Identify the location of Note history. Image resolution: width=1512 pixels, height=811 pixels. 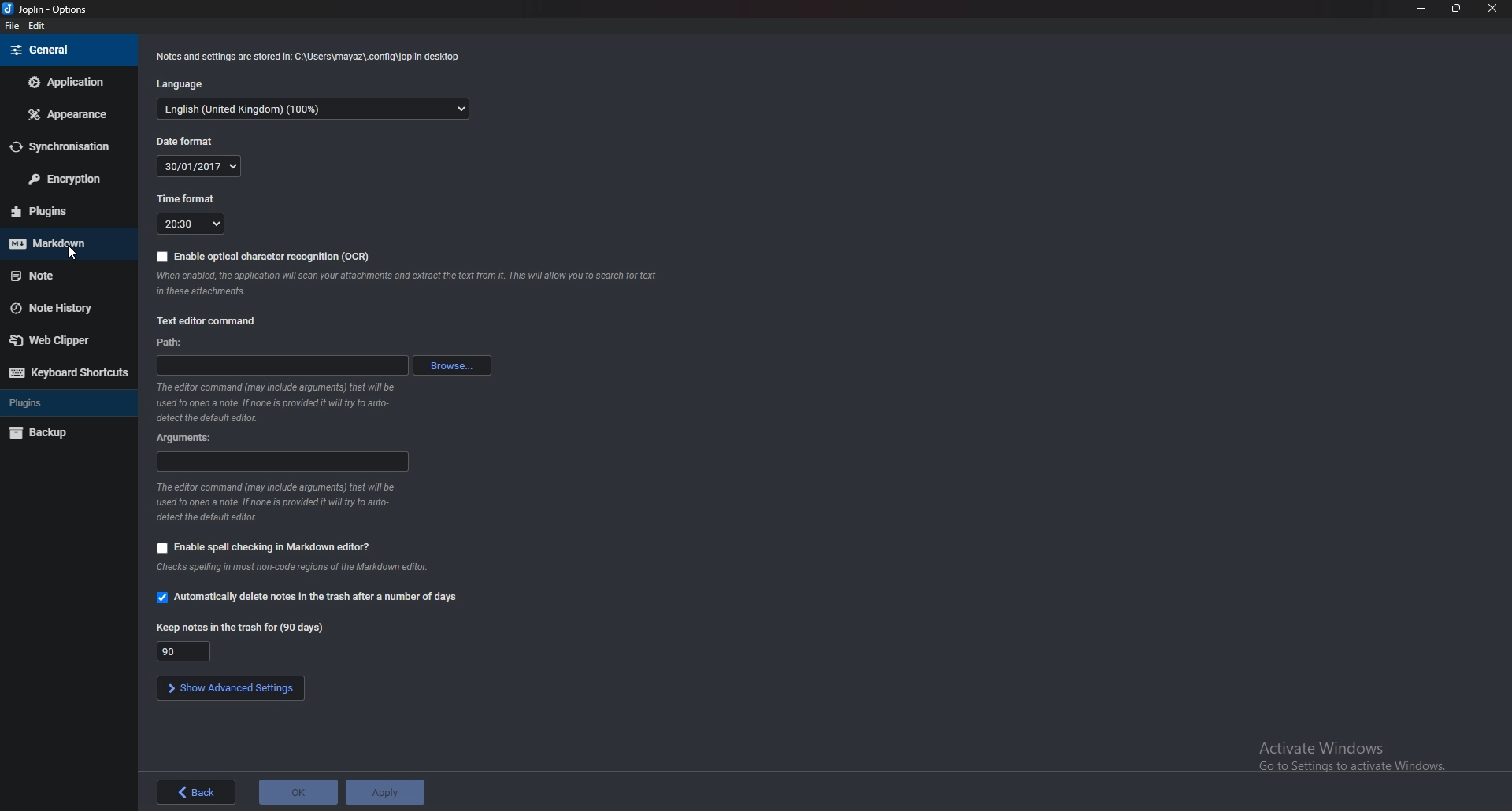
(65, 307).